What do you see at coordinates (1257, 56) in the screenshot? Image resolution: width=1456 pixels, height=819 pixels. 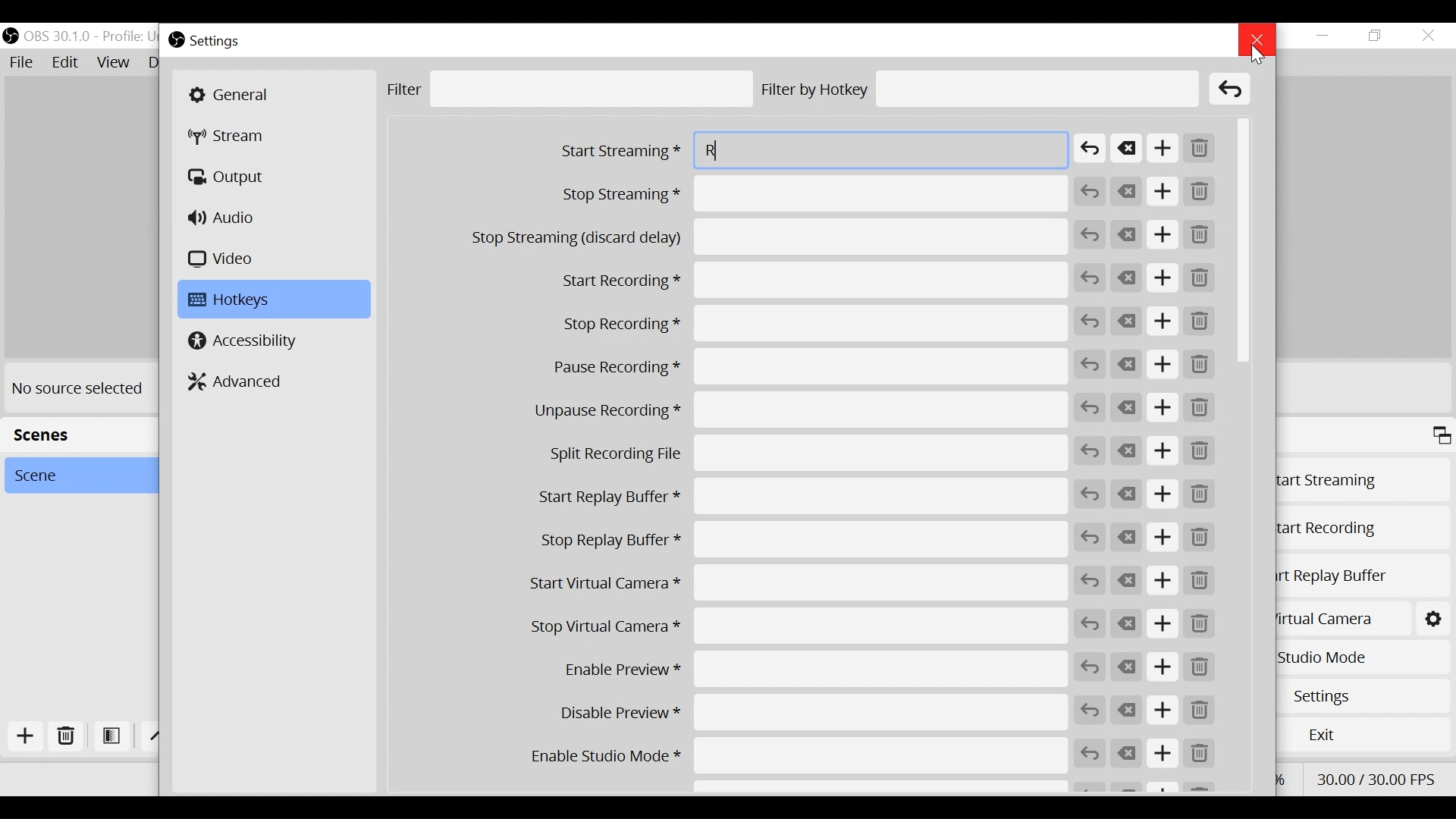 I see `Cursor` at bounding box center [1257, 56].